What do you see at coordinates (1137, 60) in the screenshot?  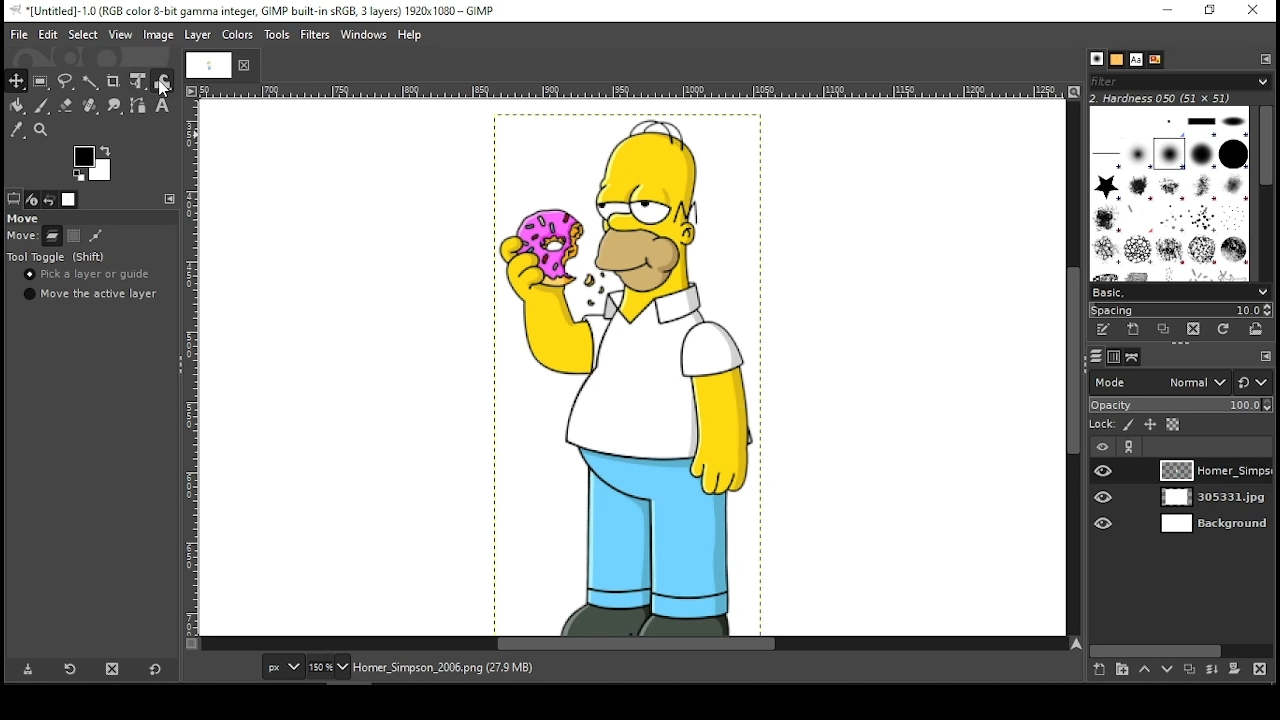 I see `text` at bounding box center [1137, 60].